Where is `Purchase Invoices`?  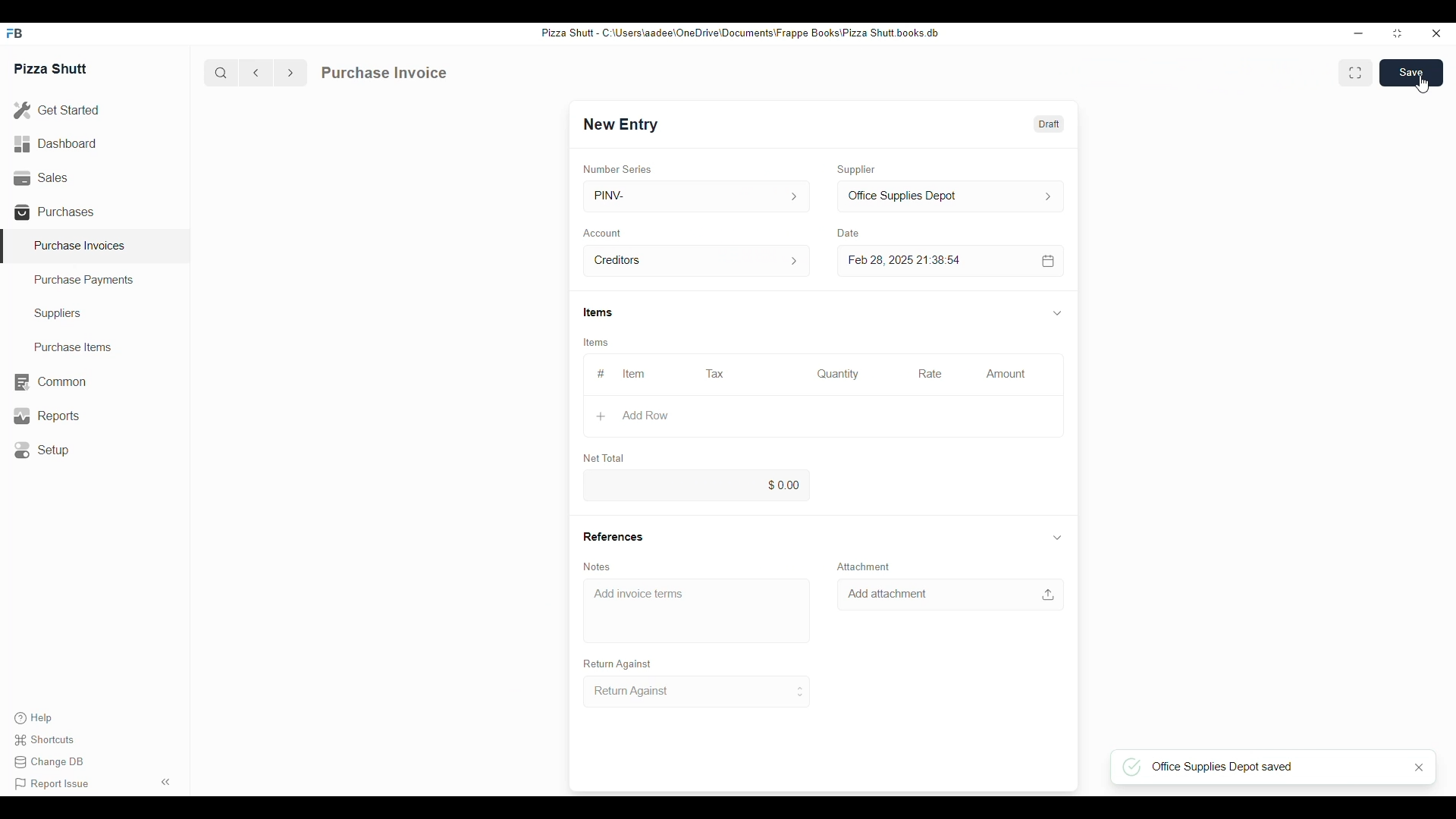 Purchase Invoices is located at coordinates (80, 245).